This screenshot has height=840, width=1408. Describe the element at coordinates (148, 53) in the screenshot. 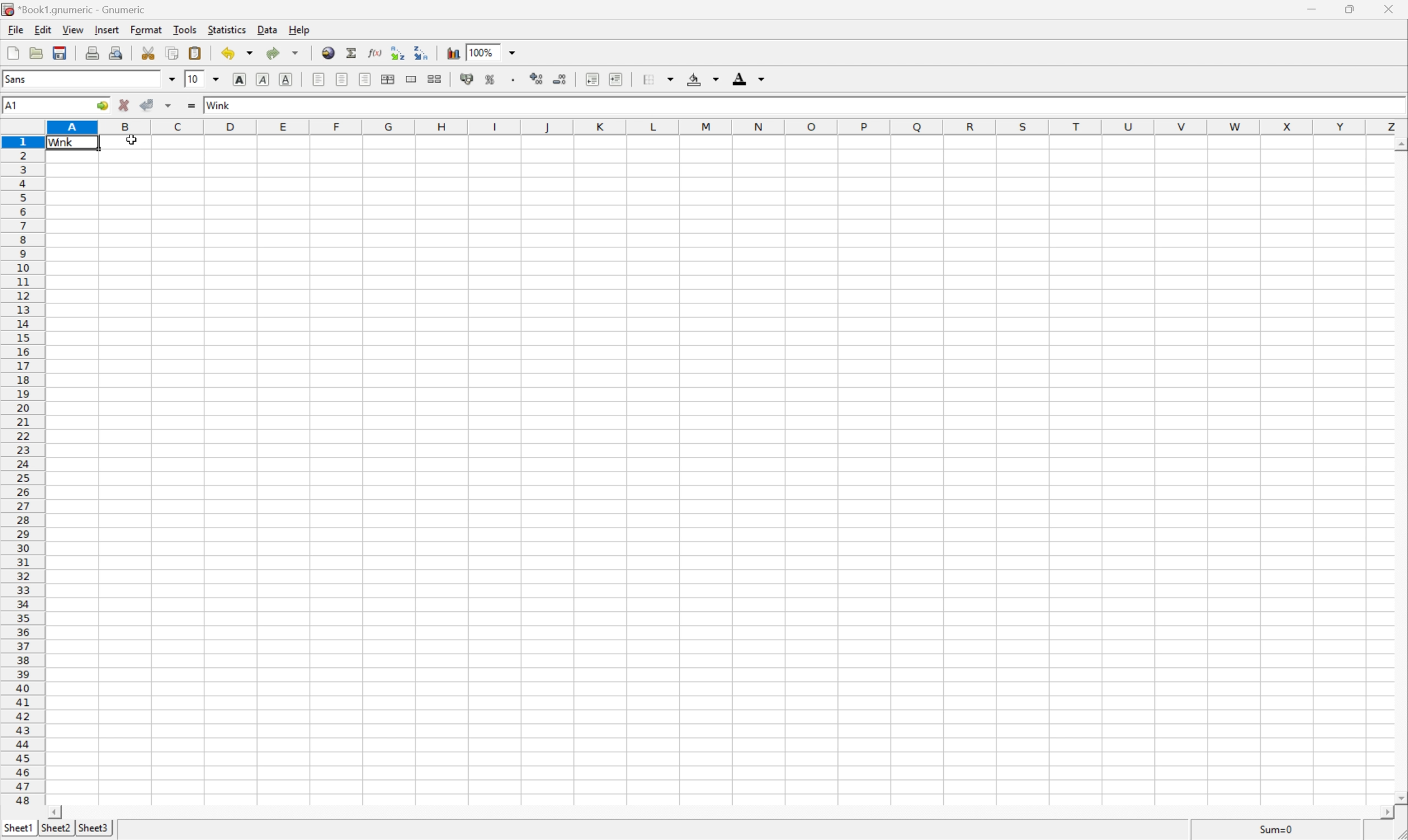

I see `cut` at that location.